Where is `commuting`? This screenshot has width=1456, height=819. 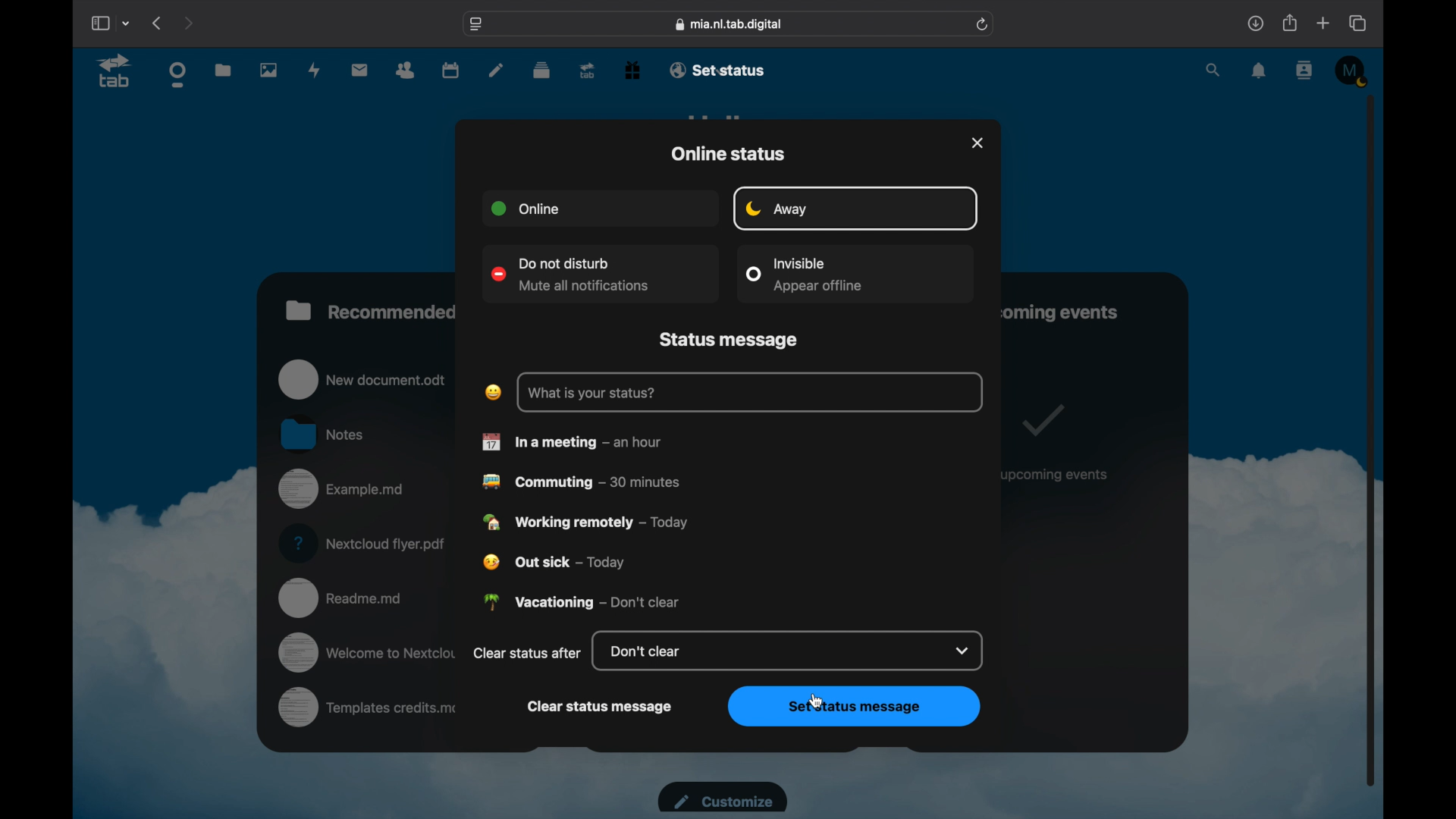
commuting is located at coordinates (581, 482).